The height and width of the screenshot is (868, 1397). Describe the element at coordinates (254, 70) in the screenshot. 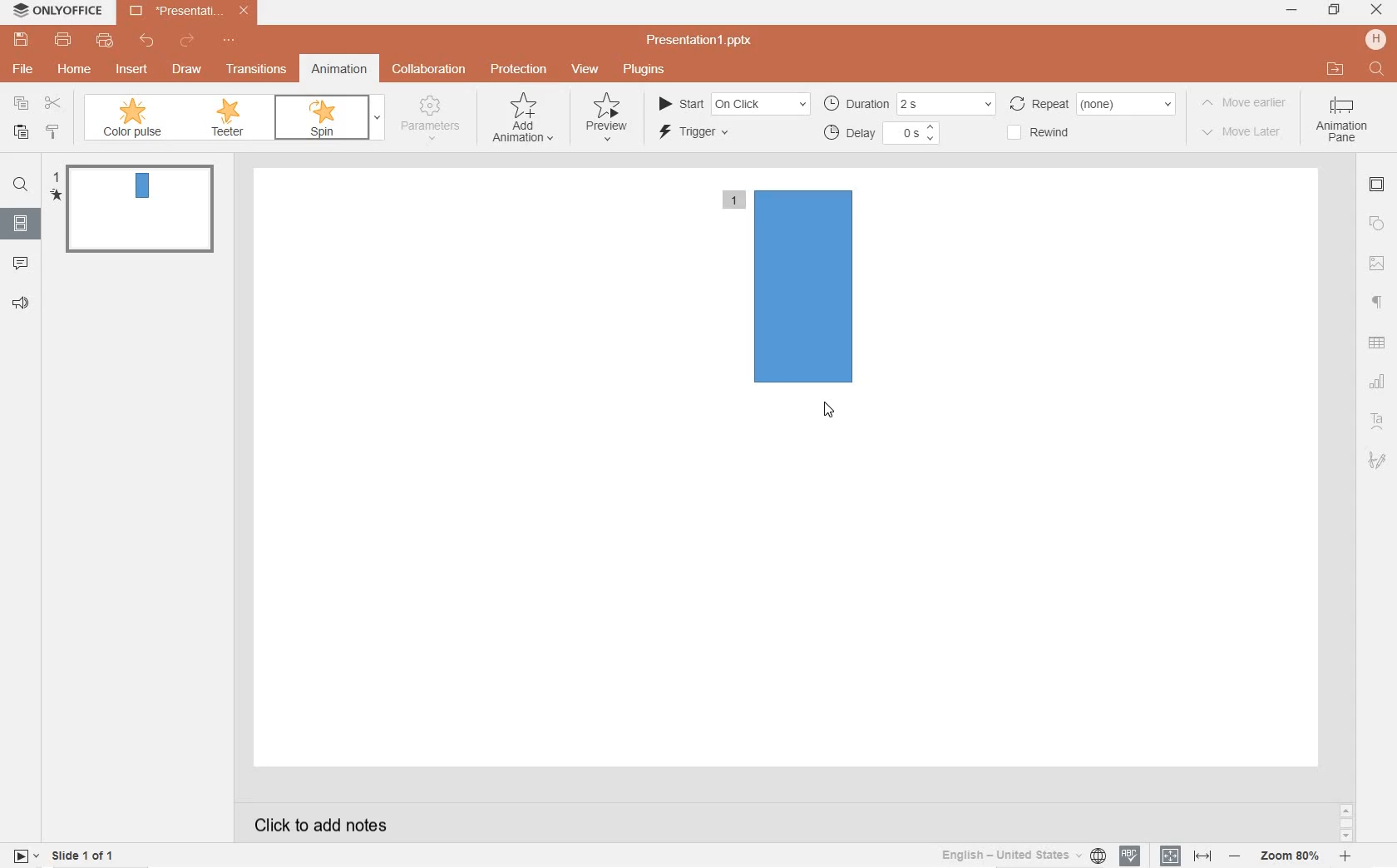

I see `transitions` at that location.